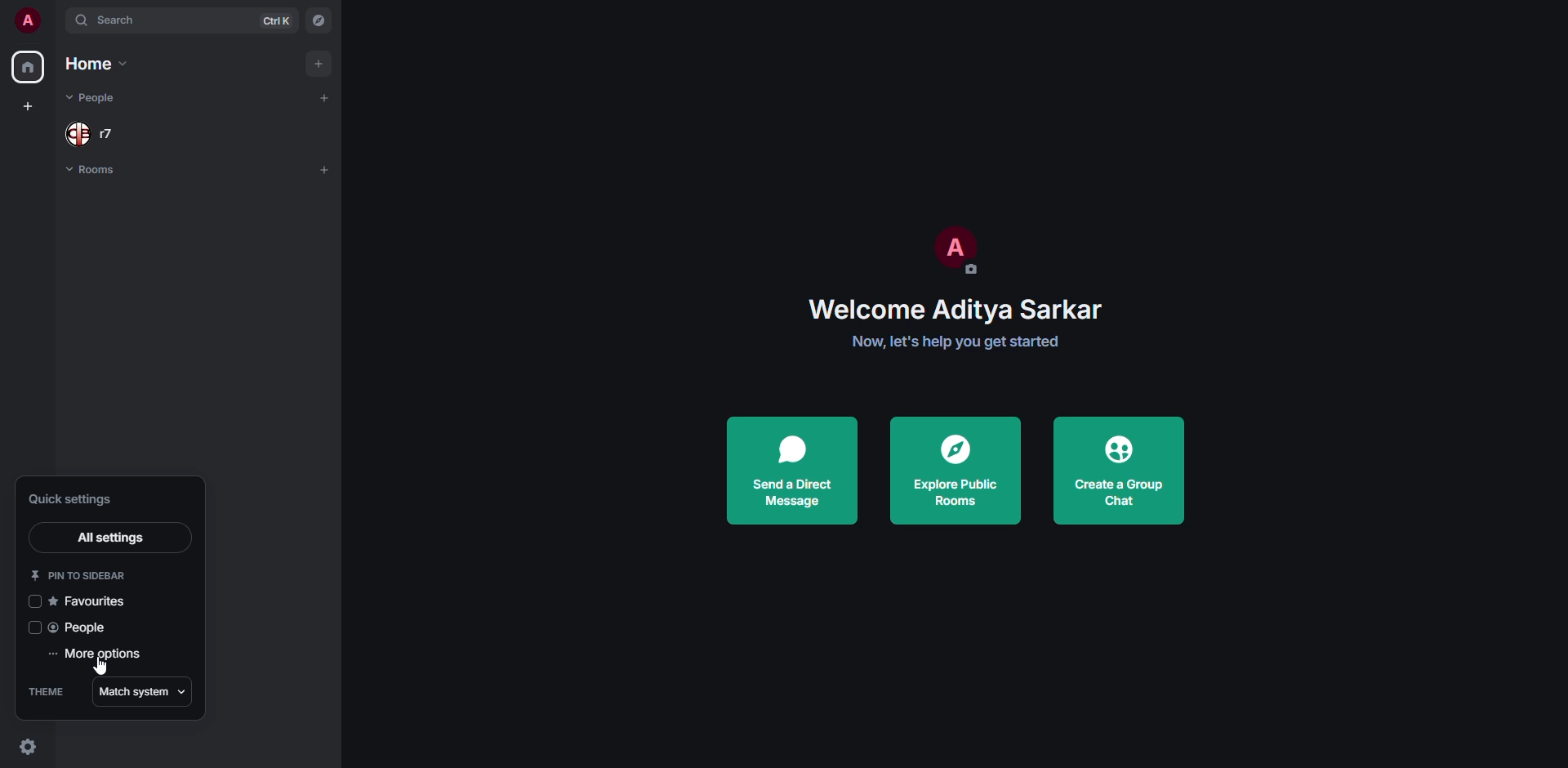  What do you see at coordinates (82, 628) in the screenshot?
I see `people` at bounding box center [82, 628].